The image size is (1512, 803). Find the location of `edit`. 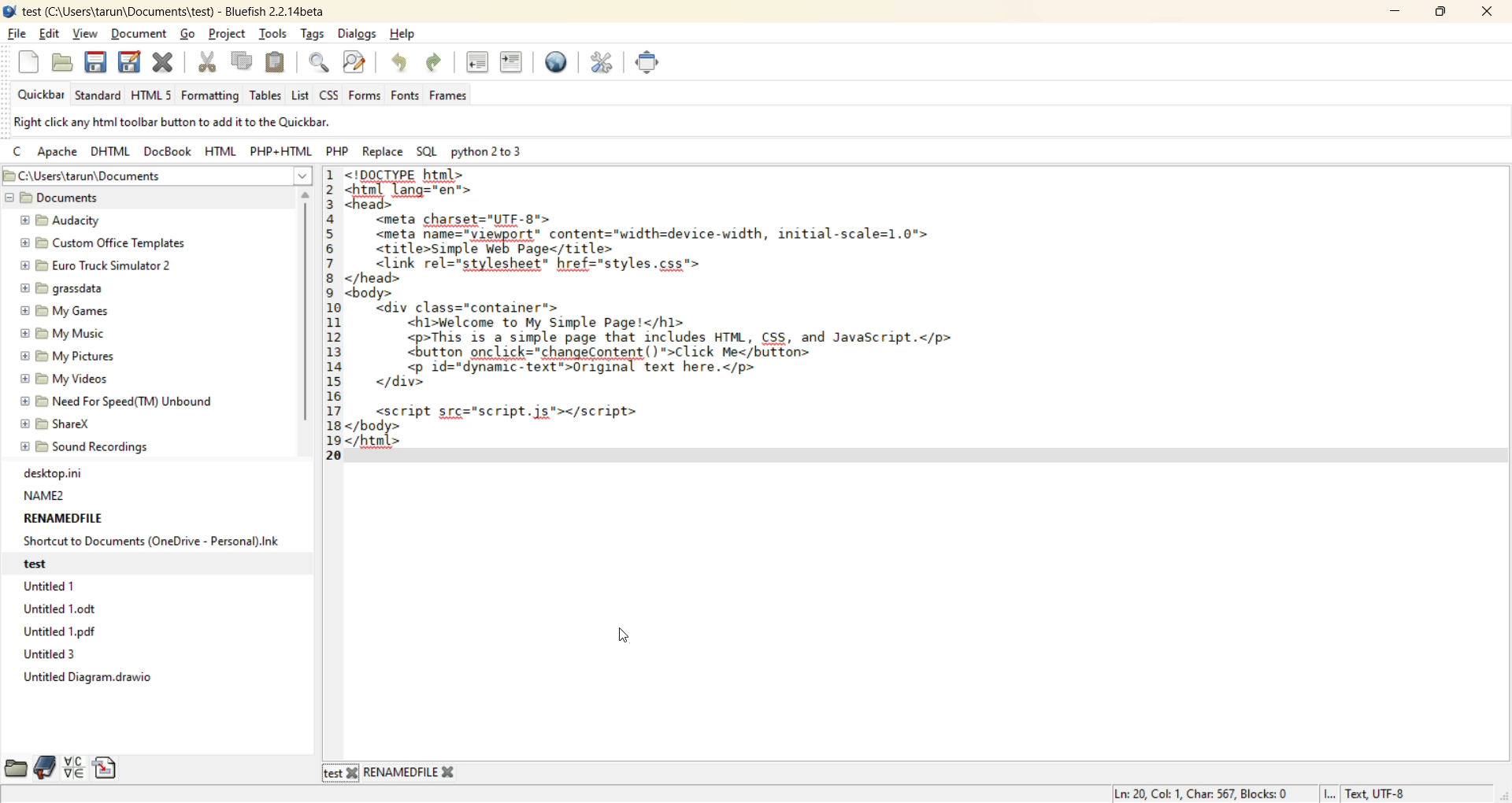

edit is located at coordinates (51, 35).